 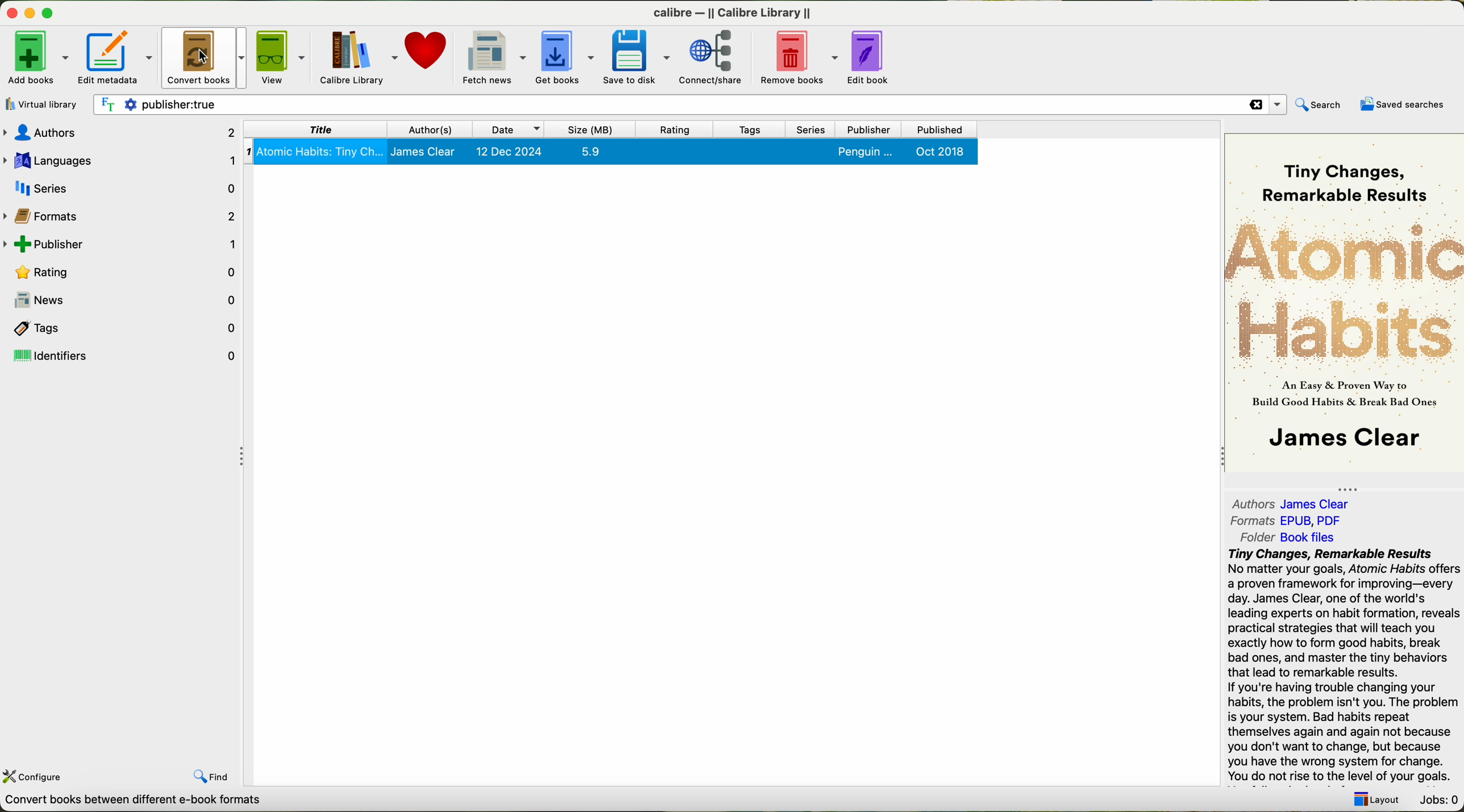 I want to click on edit book, so click(x=868, y=57).